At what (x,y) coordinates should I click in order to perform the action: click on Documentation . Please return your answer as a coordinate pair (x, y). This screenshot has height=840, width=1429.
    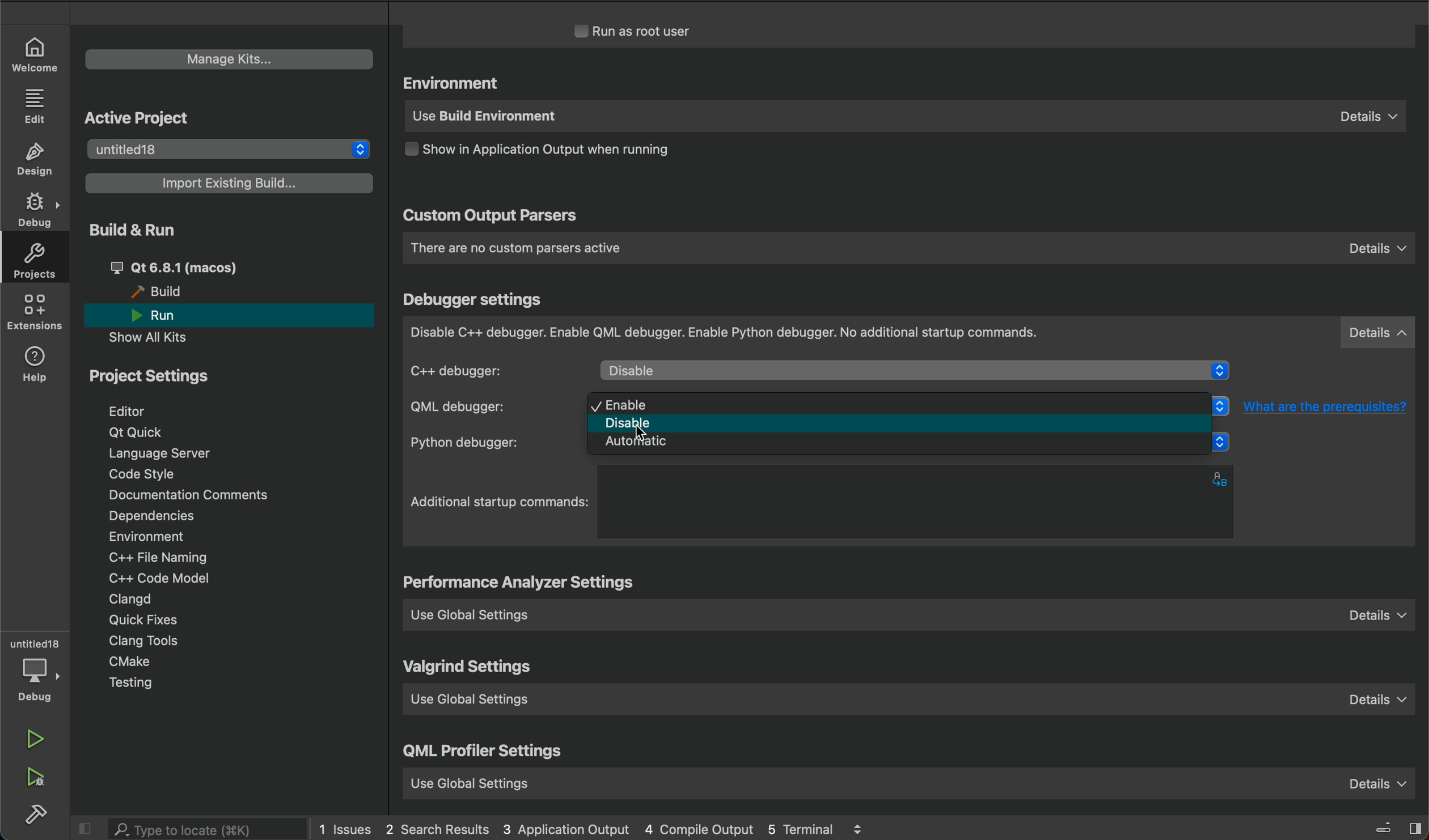
    Looking at the image, I should click on (202, 496).